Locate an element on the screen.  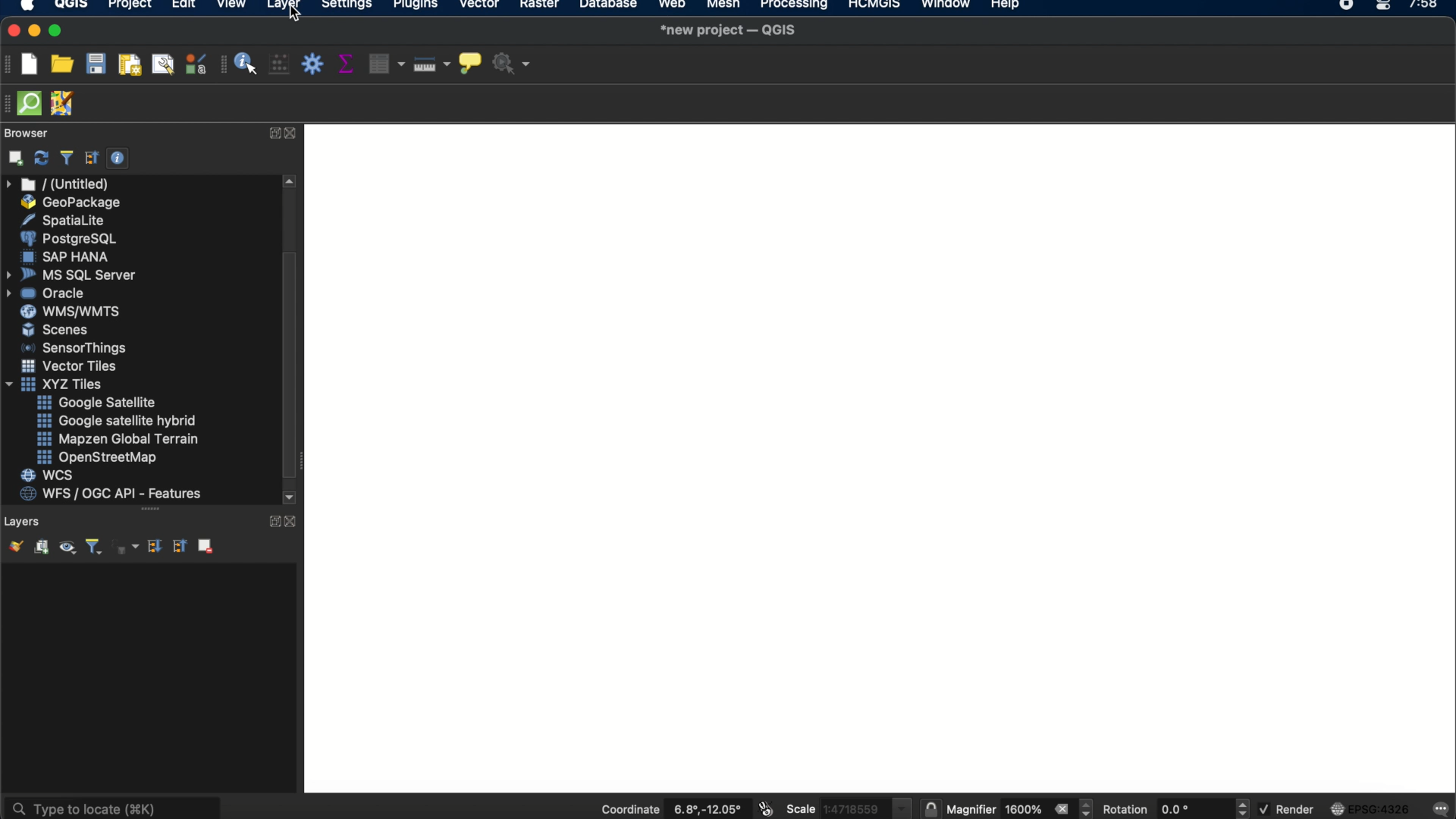
vector tiles is located at coordinates (71, 366).